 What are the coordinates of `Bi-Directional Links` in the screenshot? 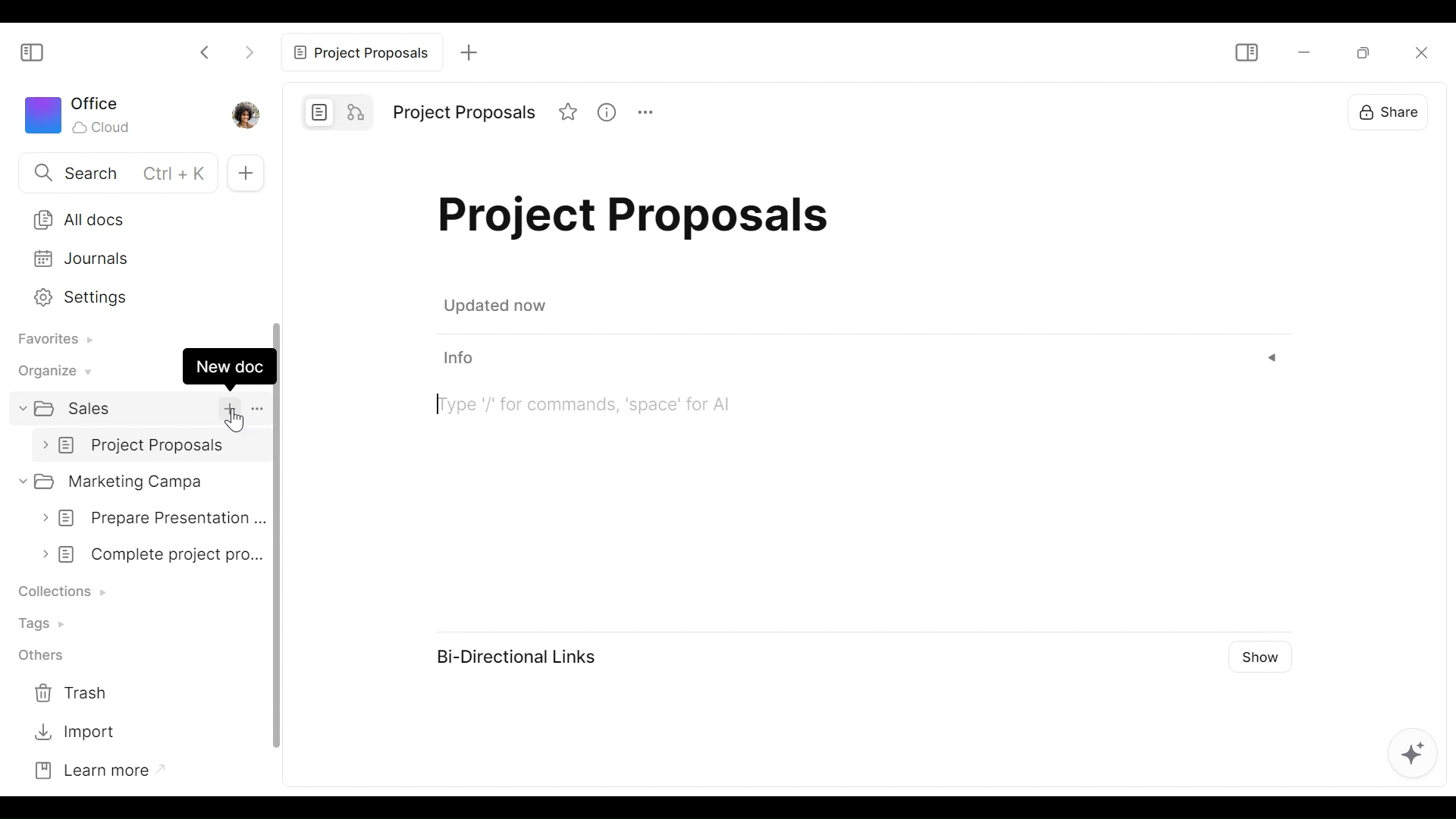 It's located at (520, 660).